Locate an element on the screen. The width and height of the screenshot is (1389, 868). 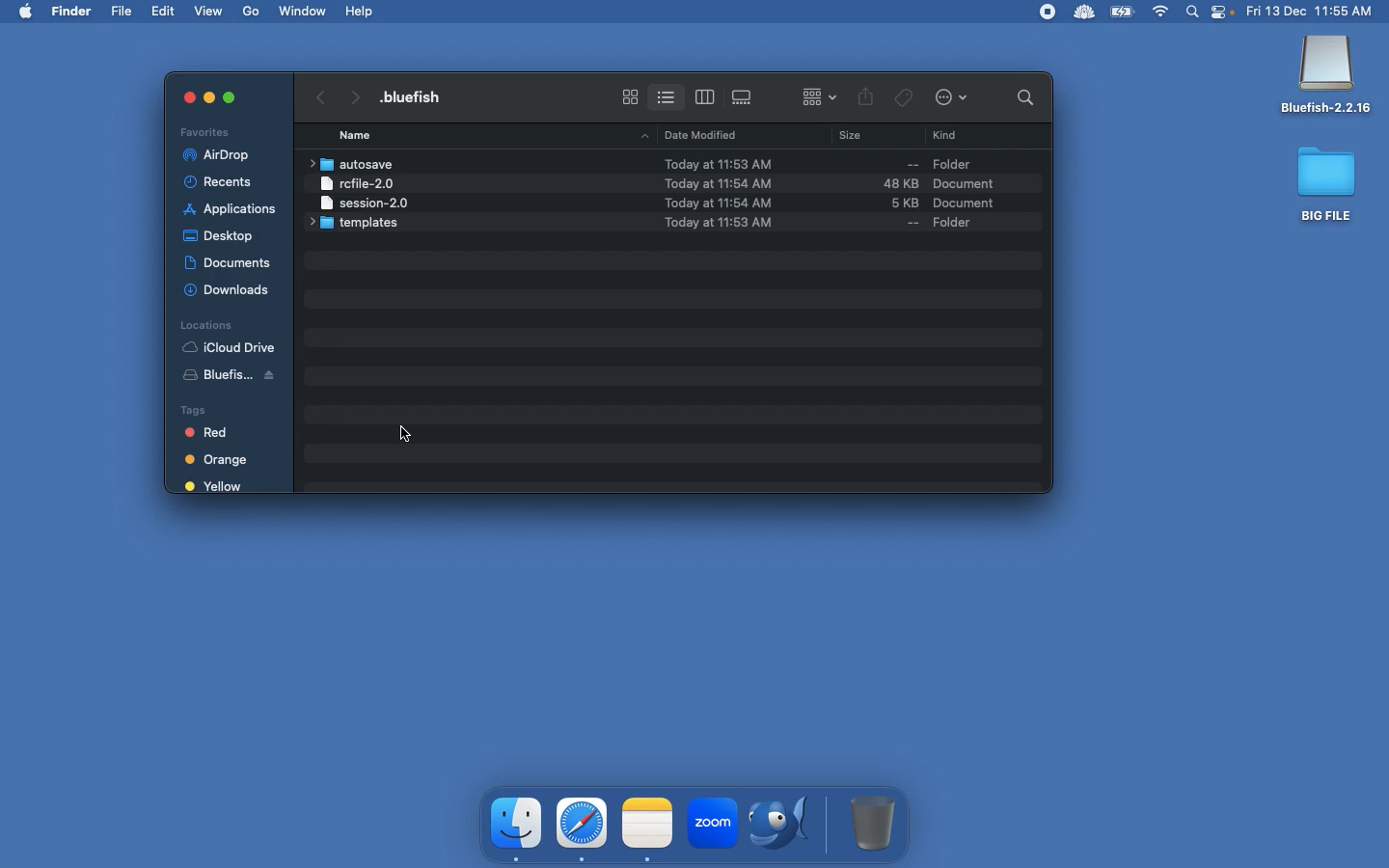
Bluefish is located at coordinates (1326, 76).